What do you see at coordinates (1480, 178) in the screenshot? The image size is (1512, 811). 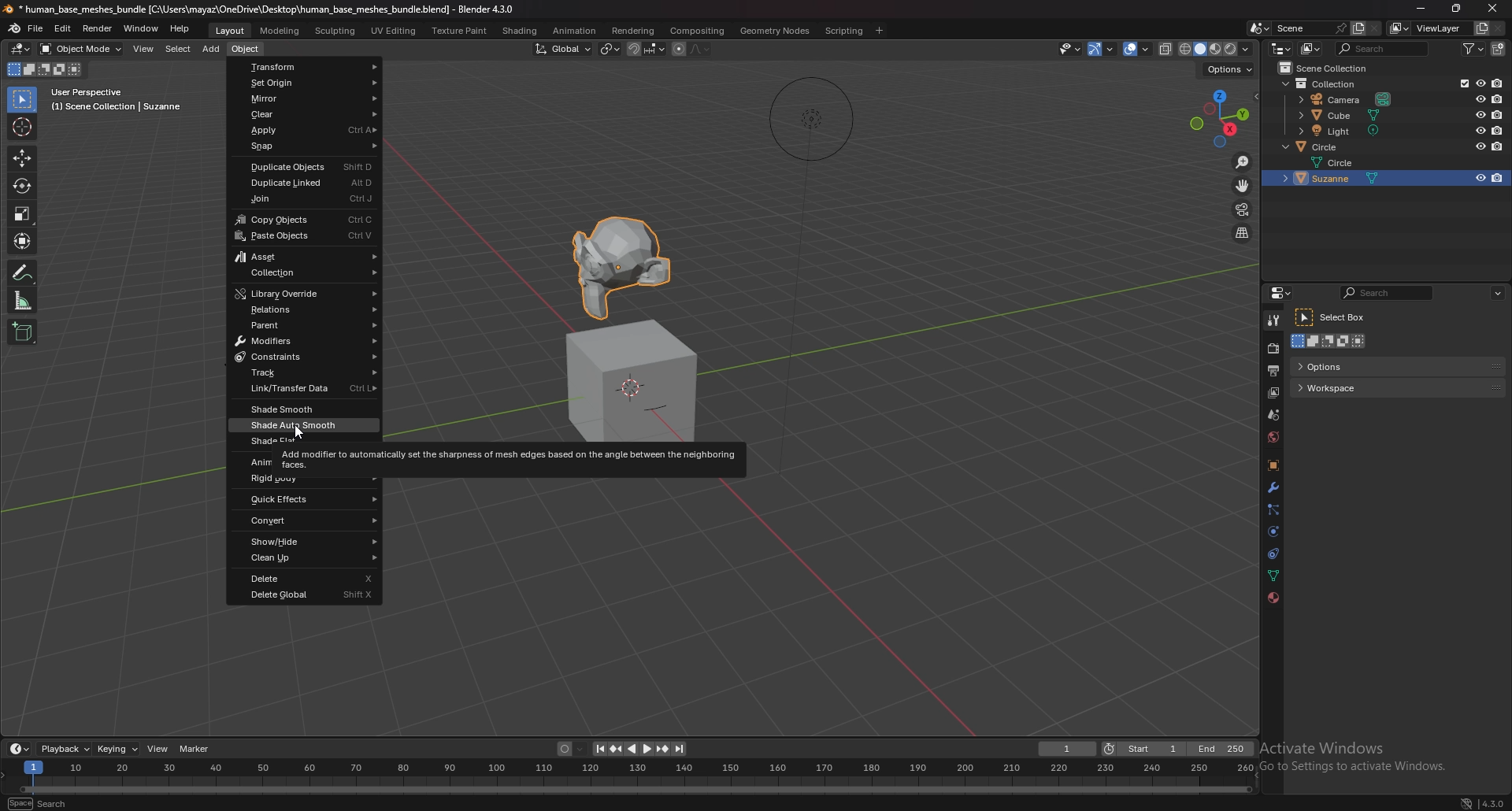 I see `hide in viewport` at bounding box center [1480, 178].